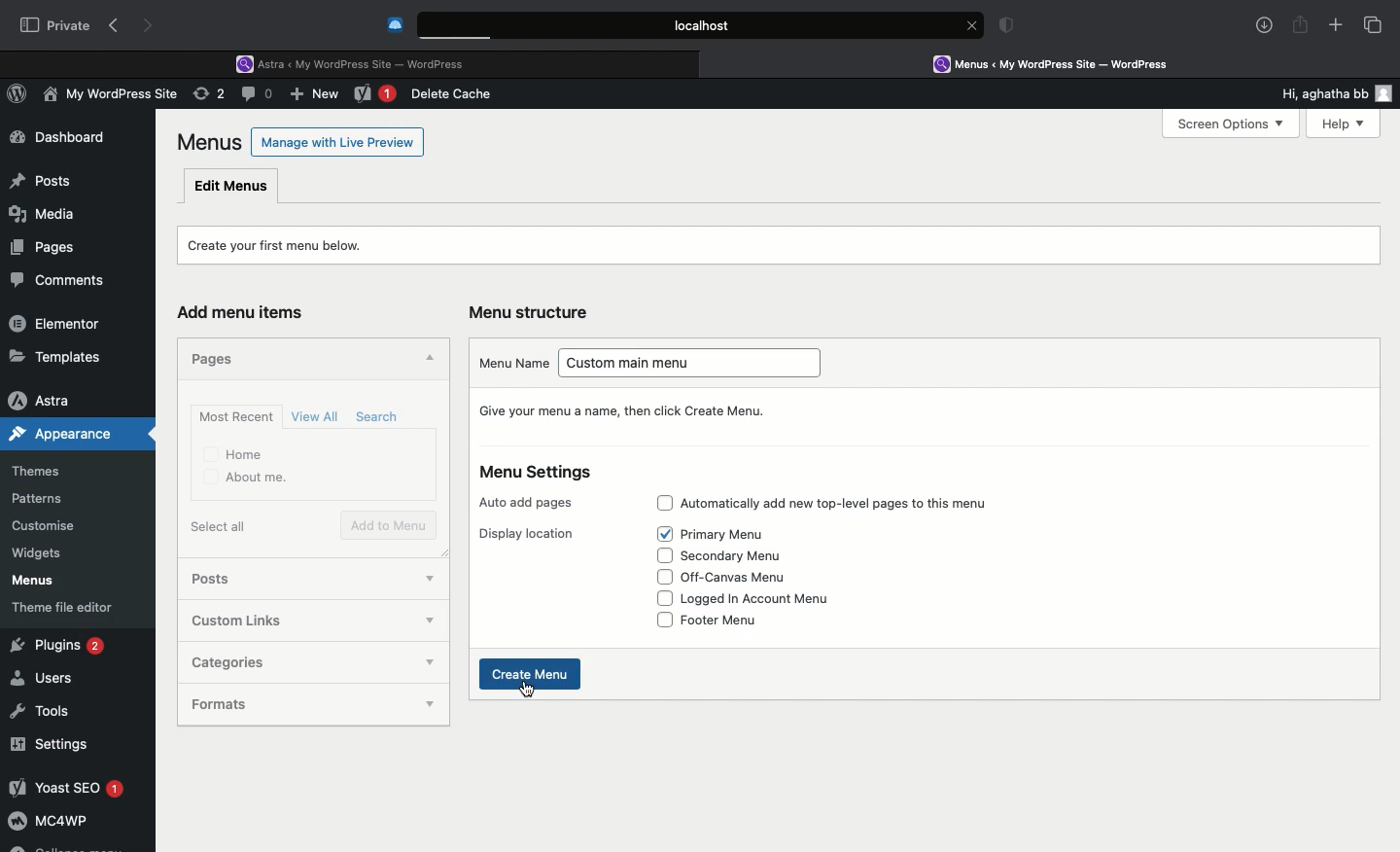 This screenshot has width=1400, height=852. I want to click on Yoast SEO 1, so click(65, 787).